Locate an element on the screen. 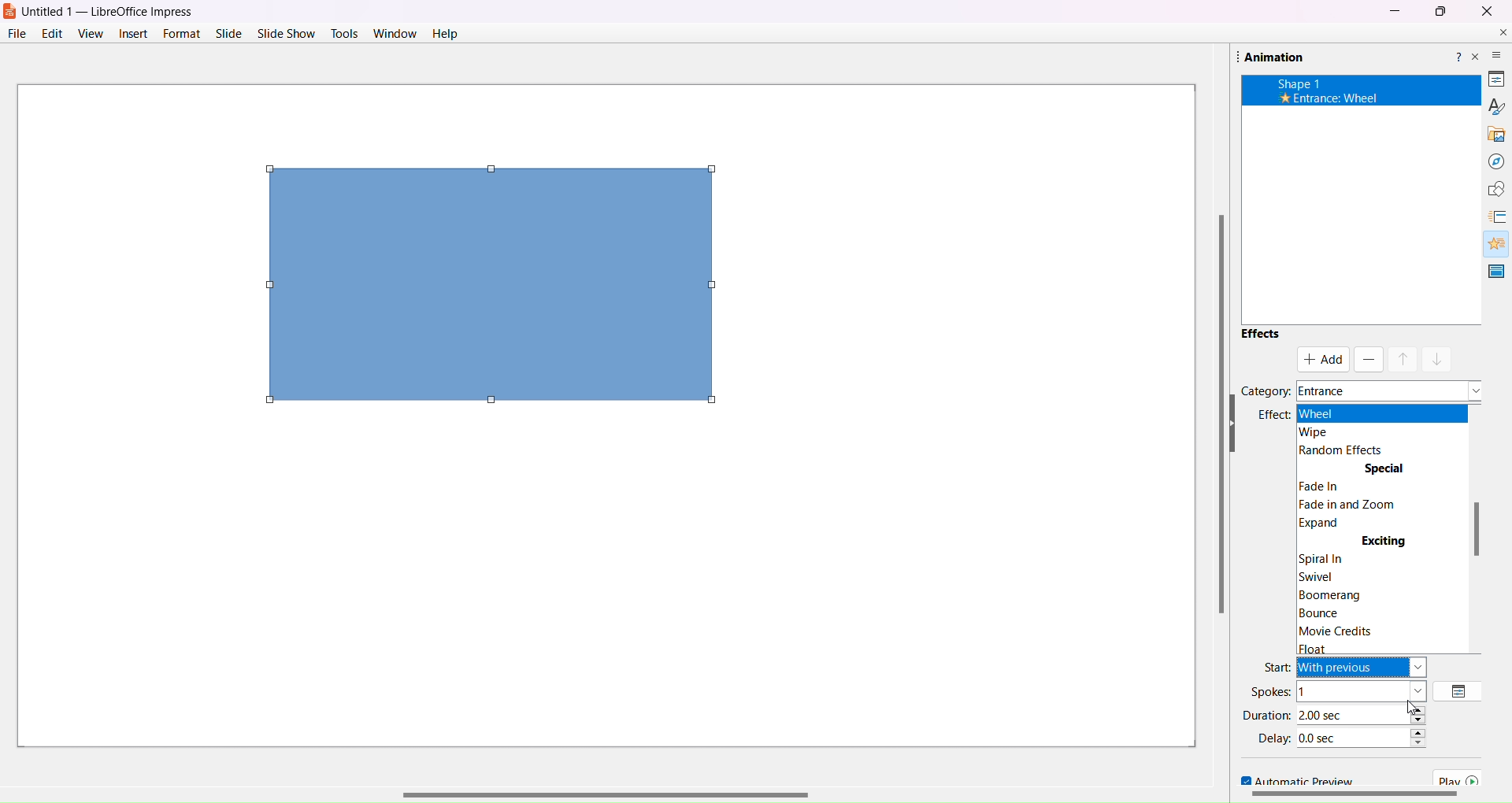  Slide Show is located at coordinates (287, 31).